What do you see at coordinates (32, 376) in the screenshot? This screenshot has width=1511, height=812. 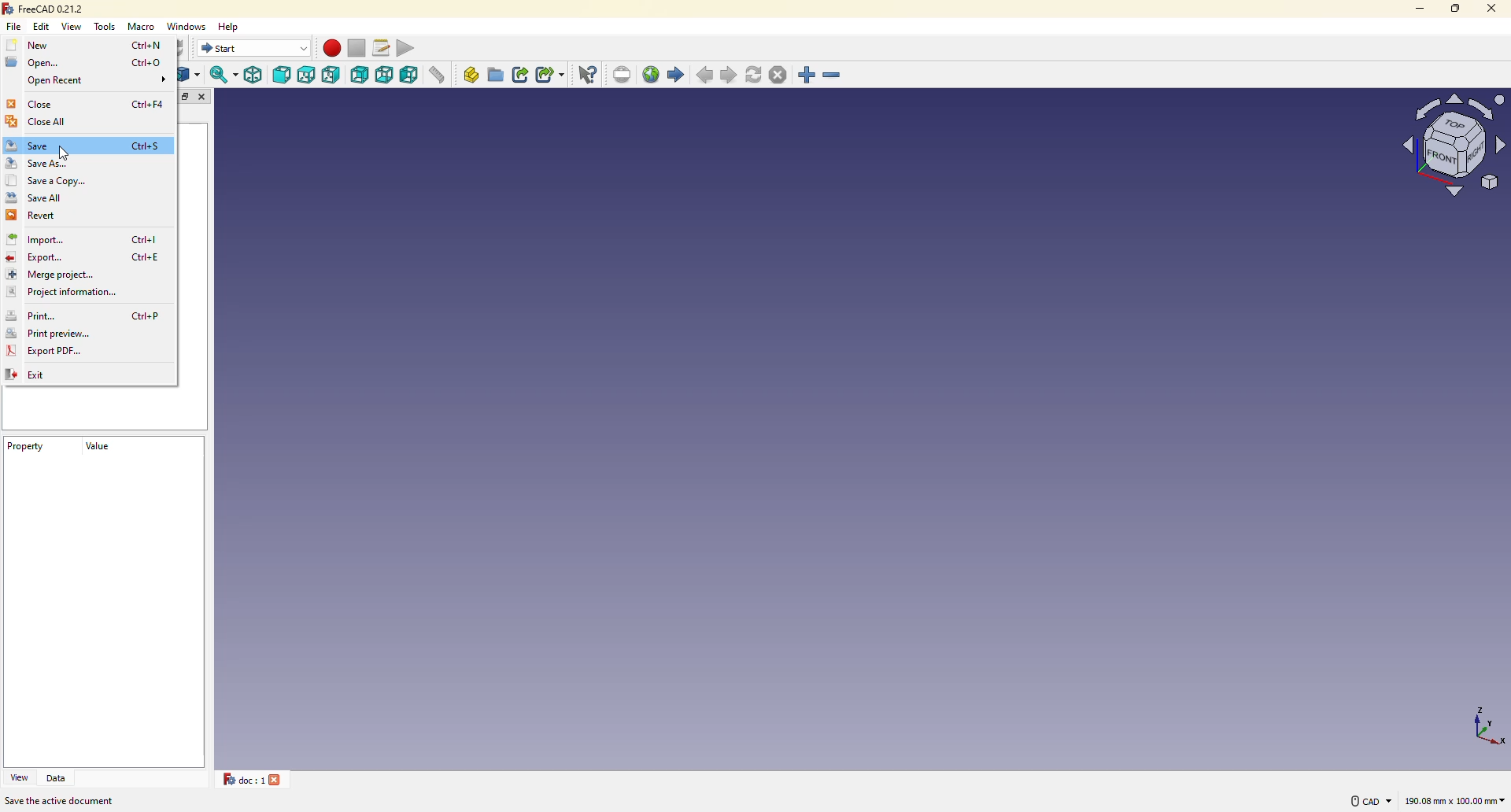 I see `exit` at bounding box center [32, 376].